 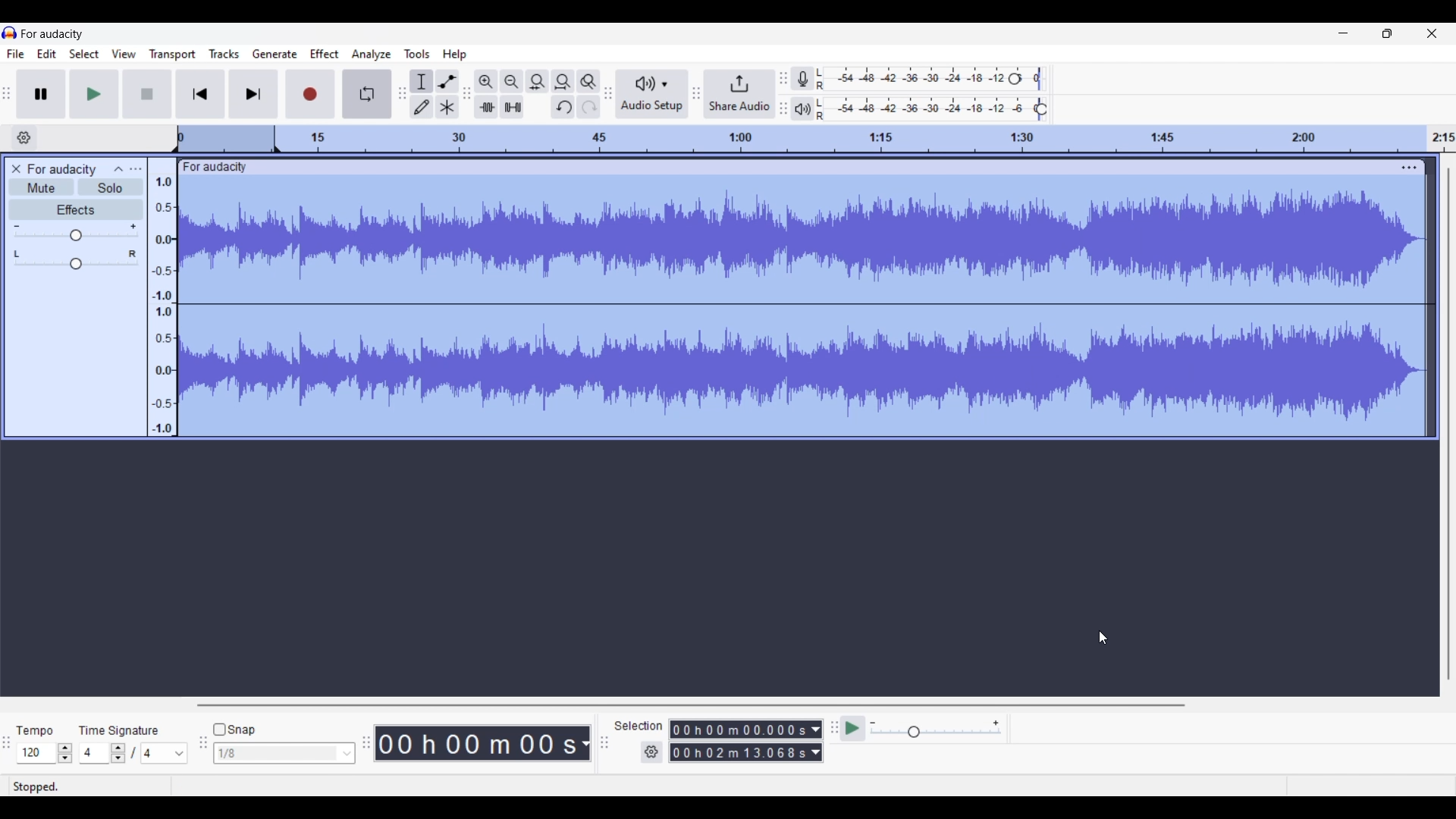 I want to click on Minimize, so click(x=1342, y=33).